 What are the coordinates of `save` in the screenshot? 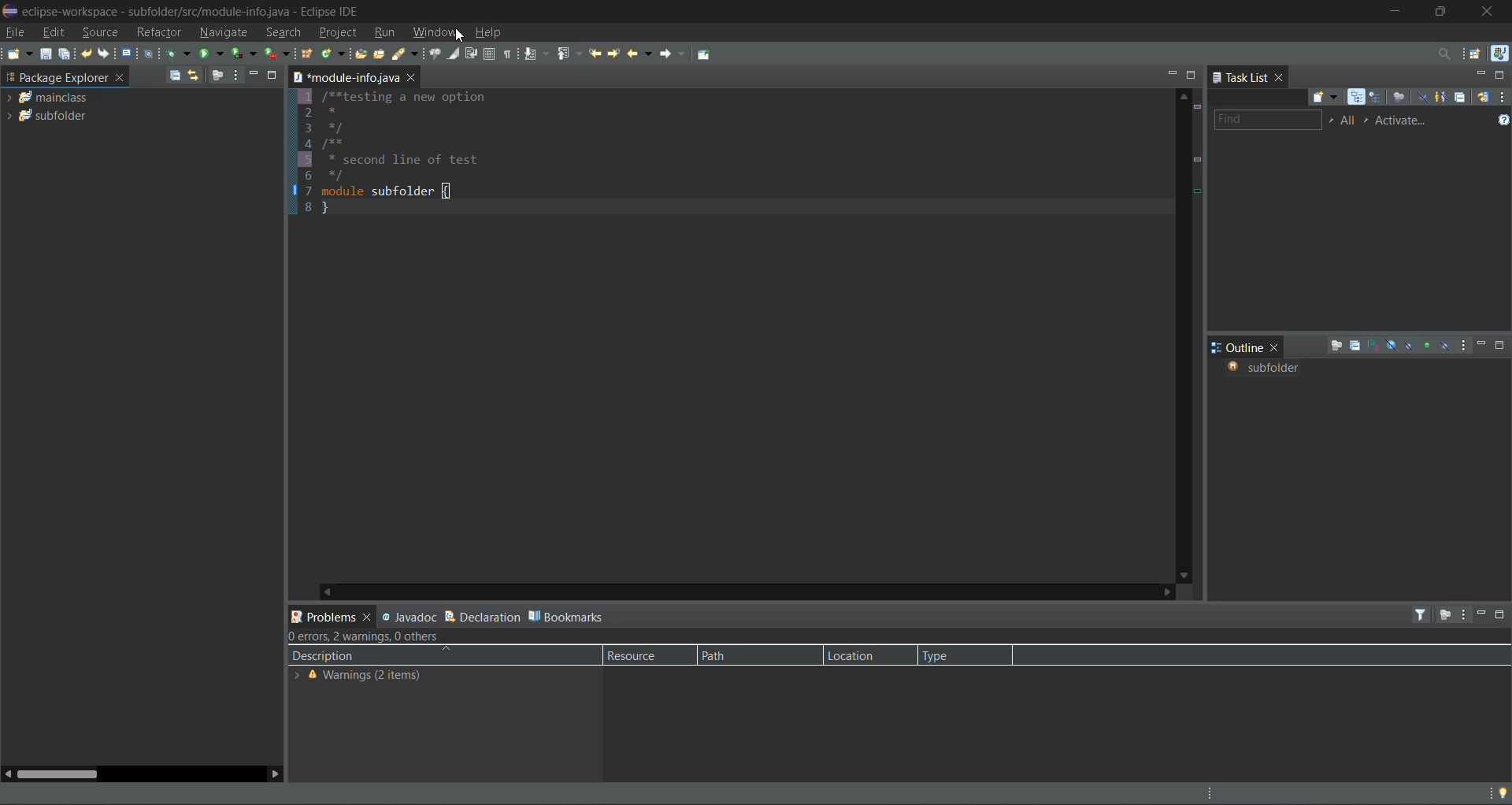 It's located at (45, 54).